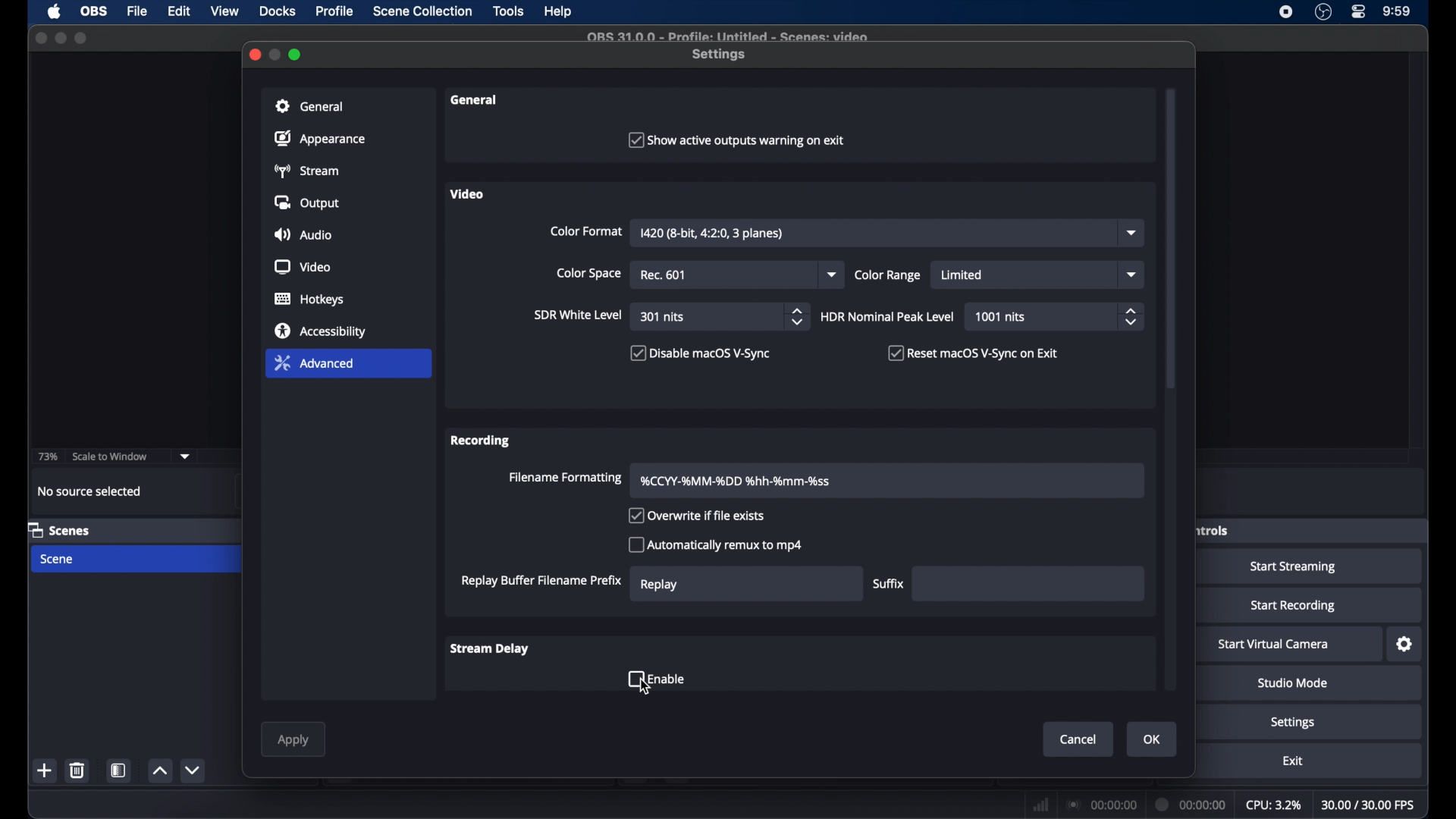  I want to click on minimize, so click(276, 55).